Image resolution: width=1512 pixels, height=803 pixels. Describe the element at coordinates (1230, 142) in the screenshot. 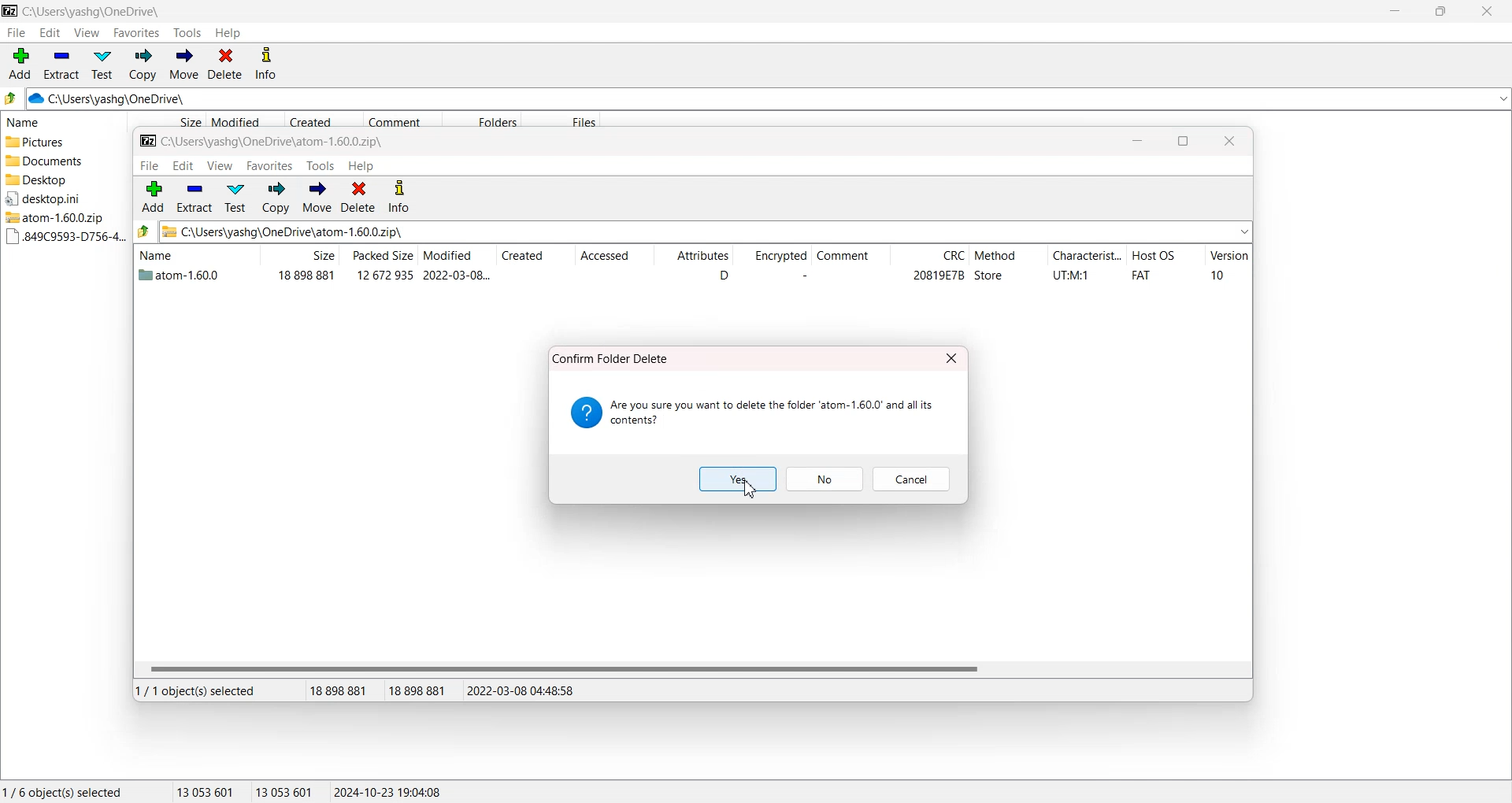

I see `close` at that location.